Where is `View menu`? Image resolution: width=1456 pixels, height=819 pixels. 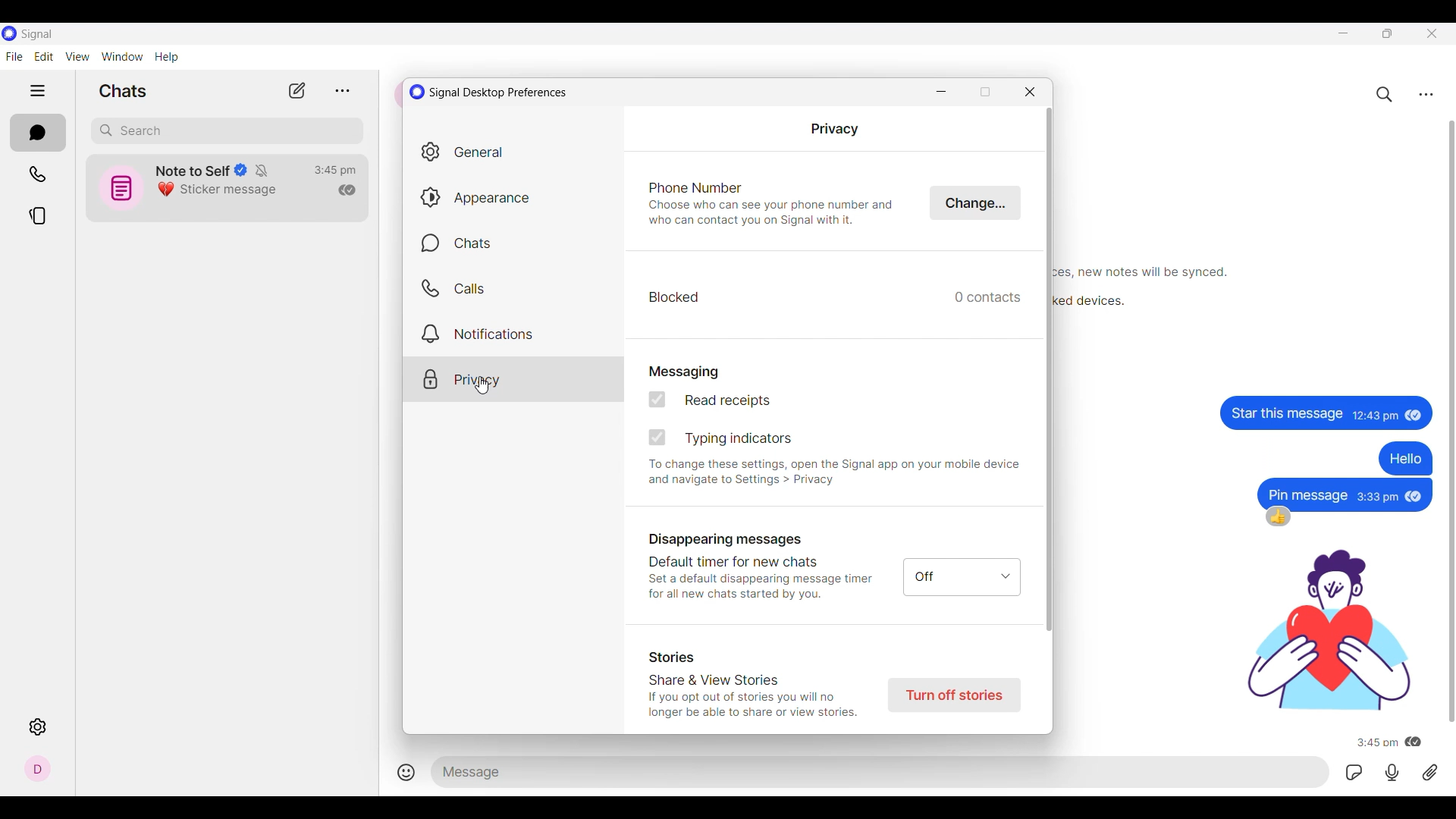
View menu is located at coordinates (78, 57).